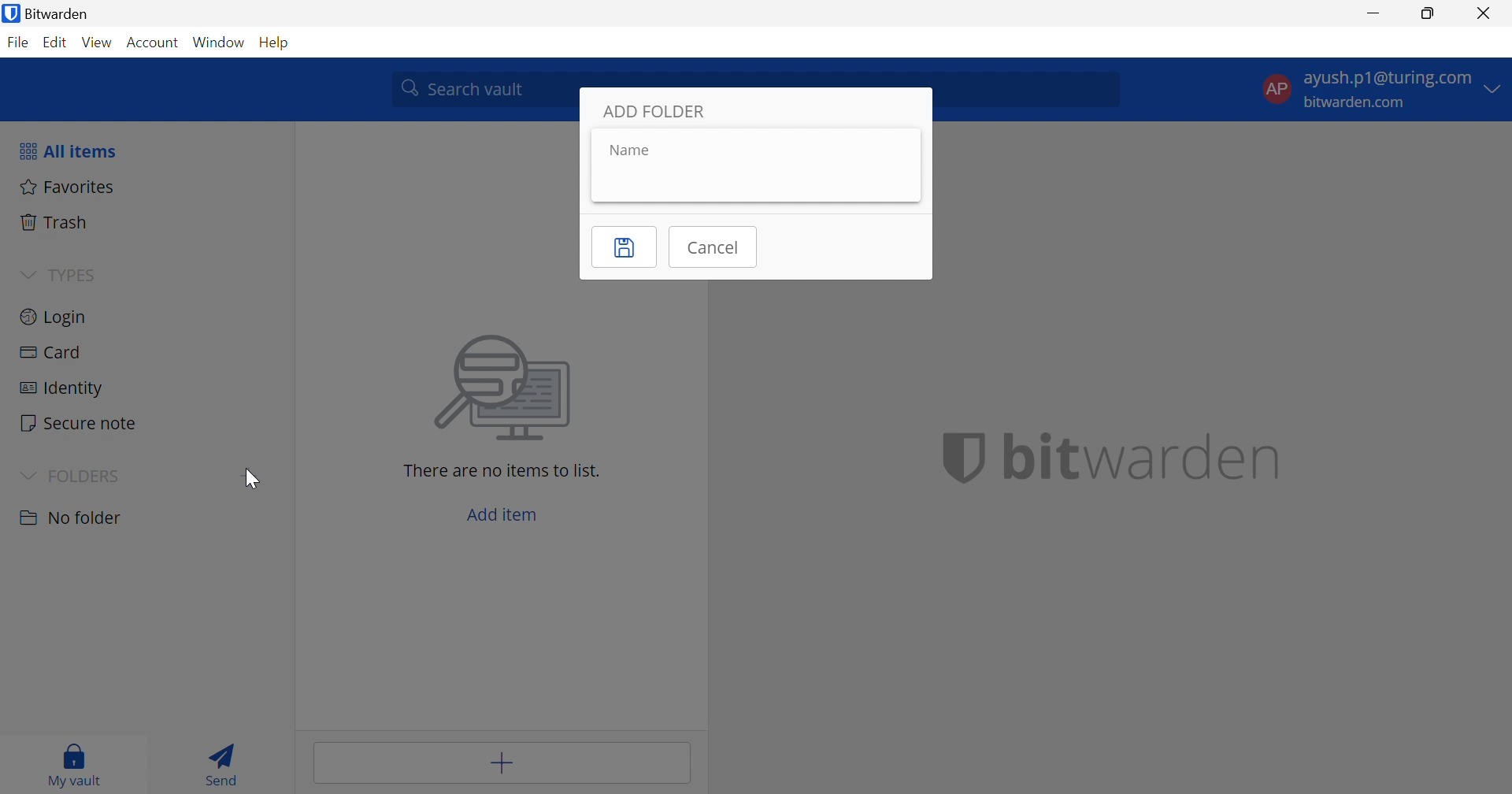 The height and width of the screenshot is (794, 1512). Describe the element at coordinates (79, 421) in the screenshot. I see `Secure note` at that location.